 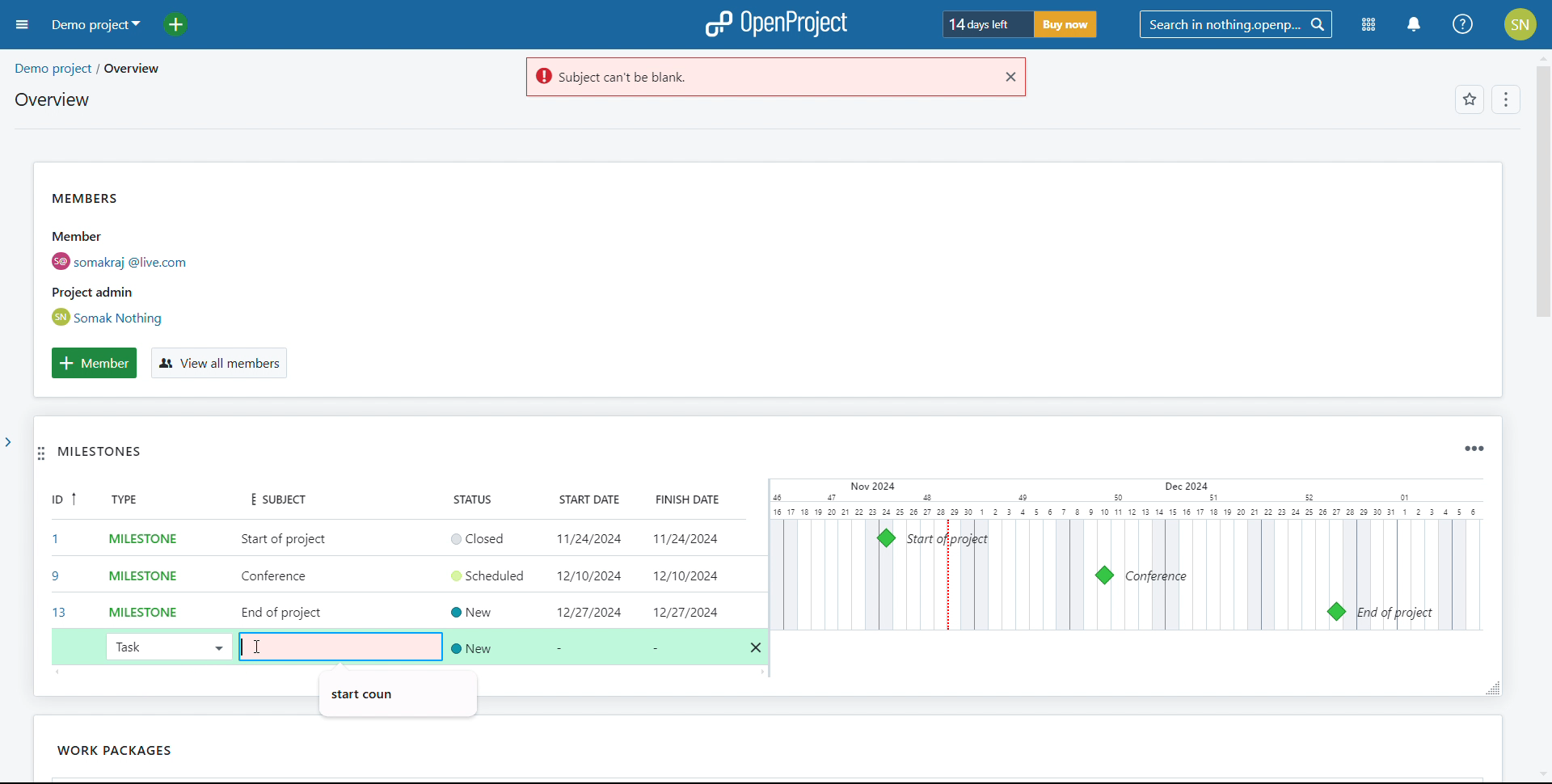 What do you see at coordinates (1235, 25) in the screenshot?
I see `search` at bounding box center [1235, 25].